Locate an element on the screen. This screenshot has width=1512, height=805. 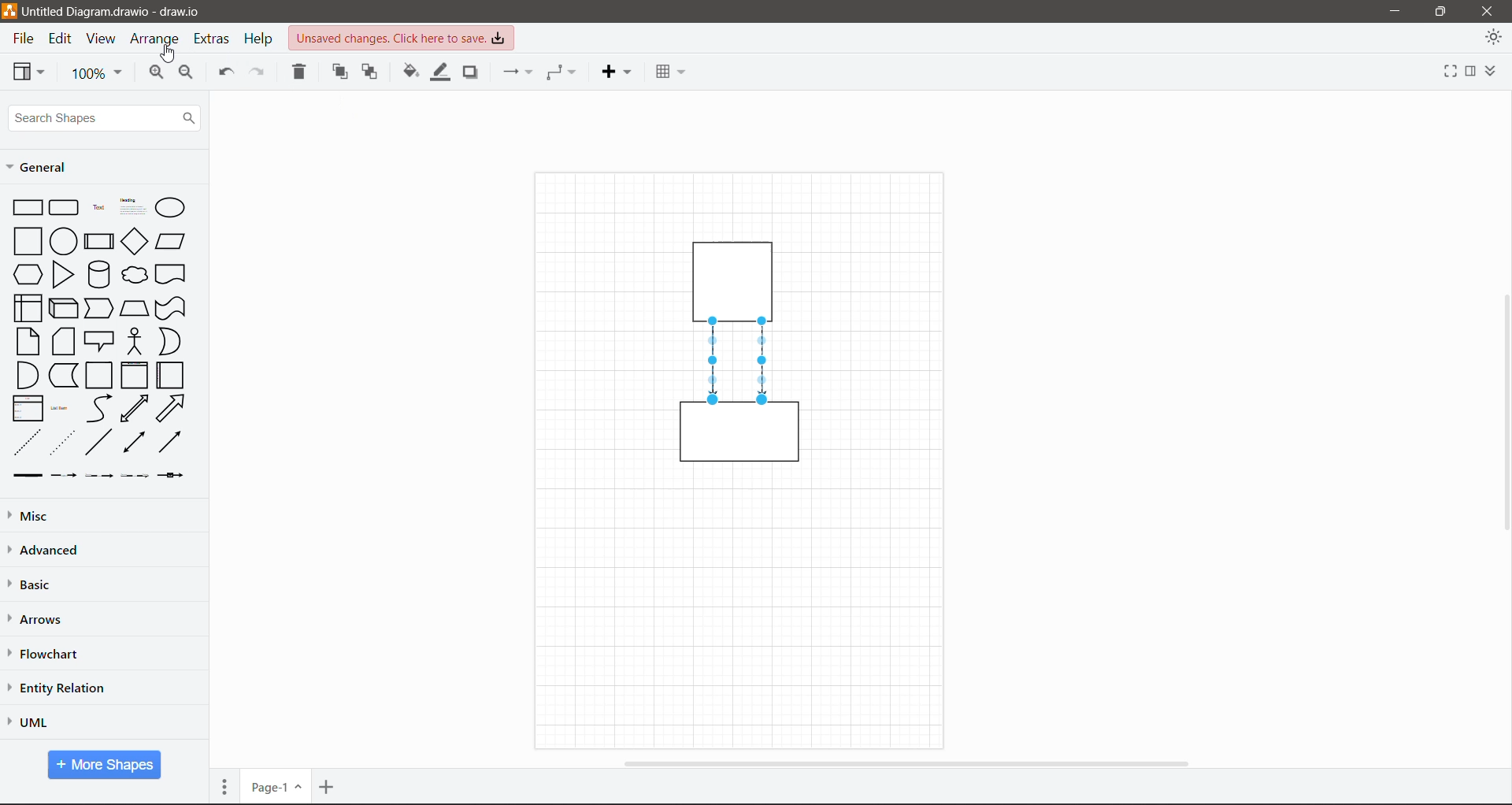
curve is located at coordinates (99, 409).